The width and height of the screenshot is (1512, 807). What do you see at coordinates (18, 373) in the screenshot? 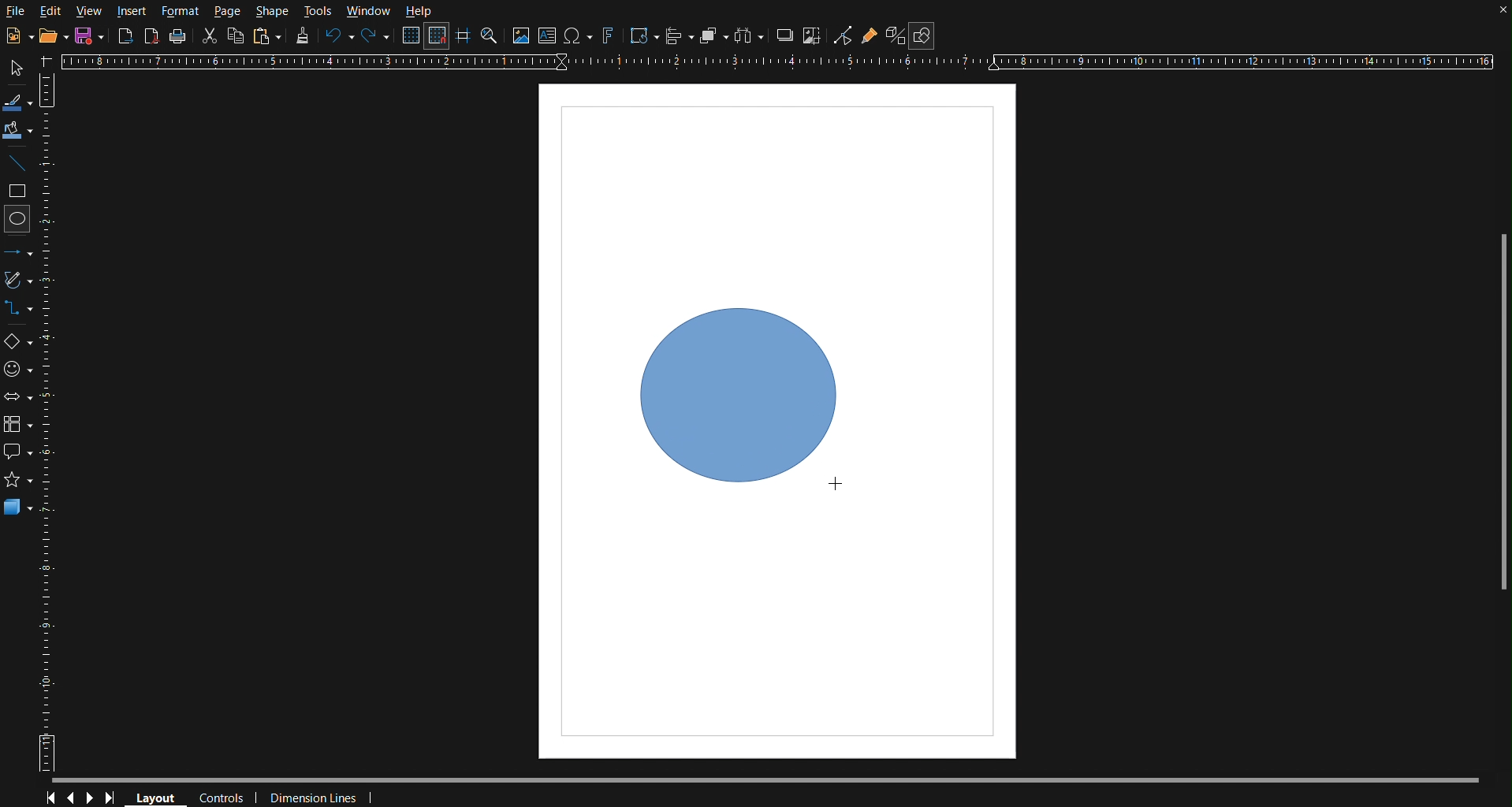
I see `Symbol Shapes` at bounding box center [18, 373].